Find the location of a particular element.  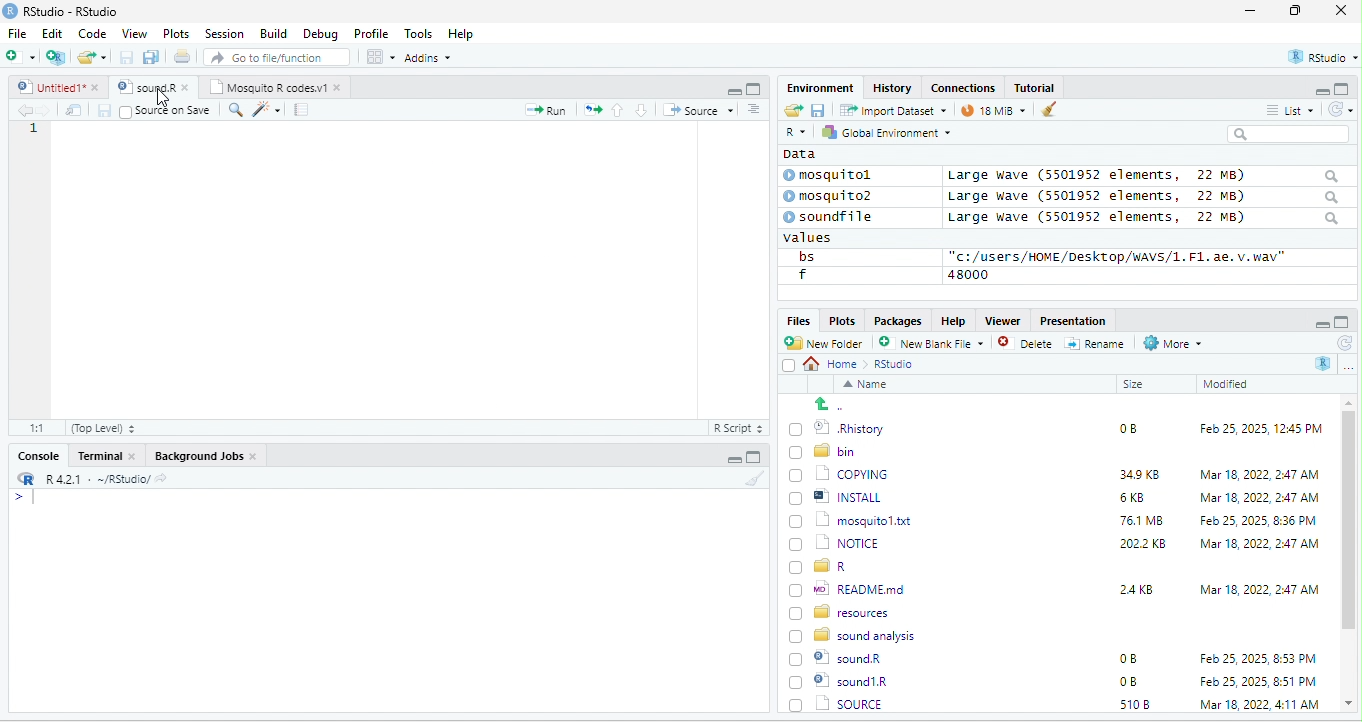

go back is located at coordinates (837, 404).